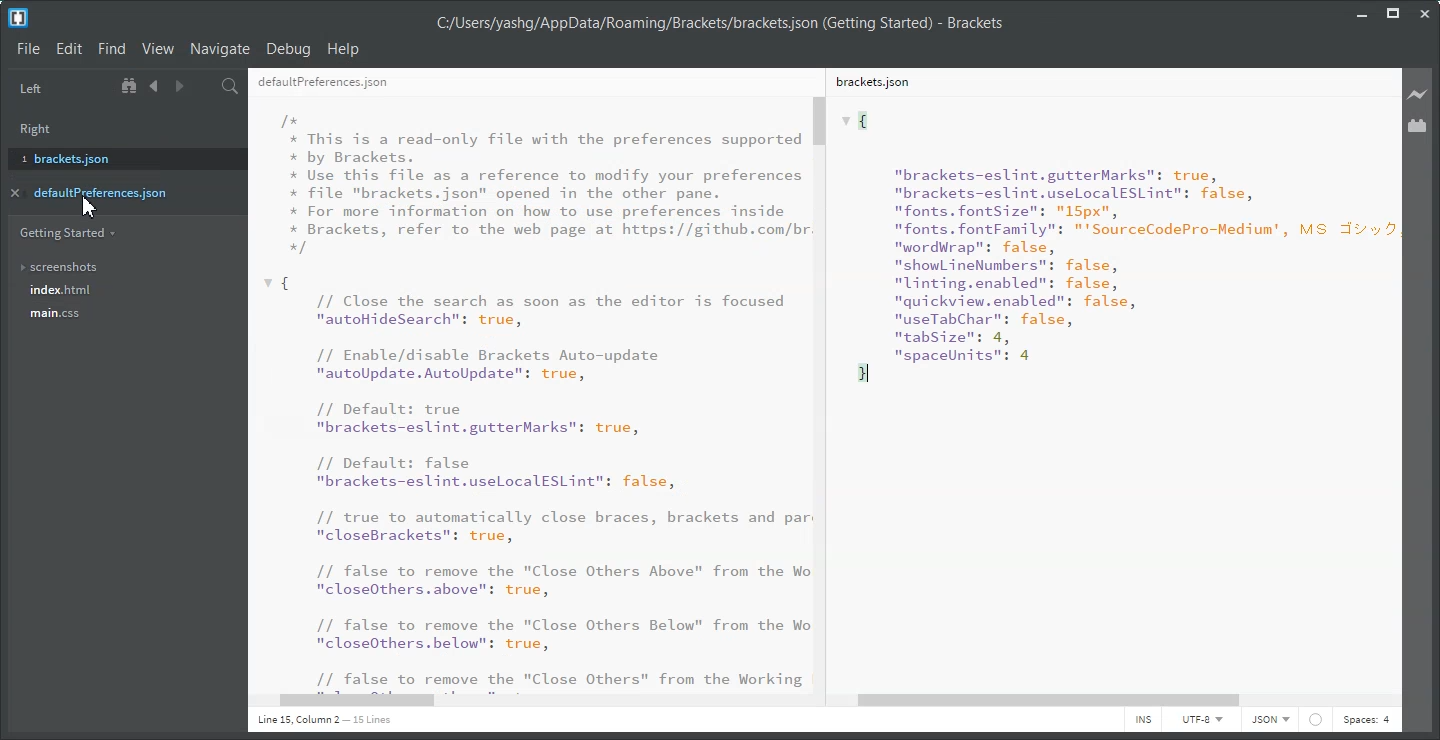  I want to click on Logo, so click(18, 18).